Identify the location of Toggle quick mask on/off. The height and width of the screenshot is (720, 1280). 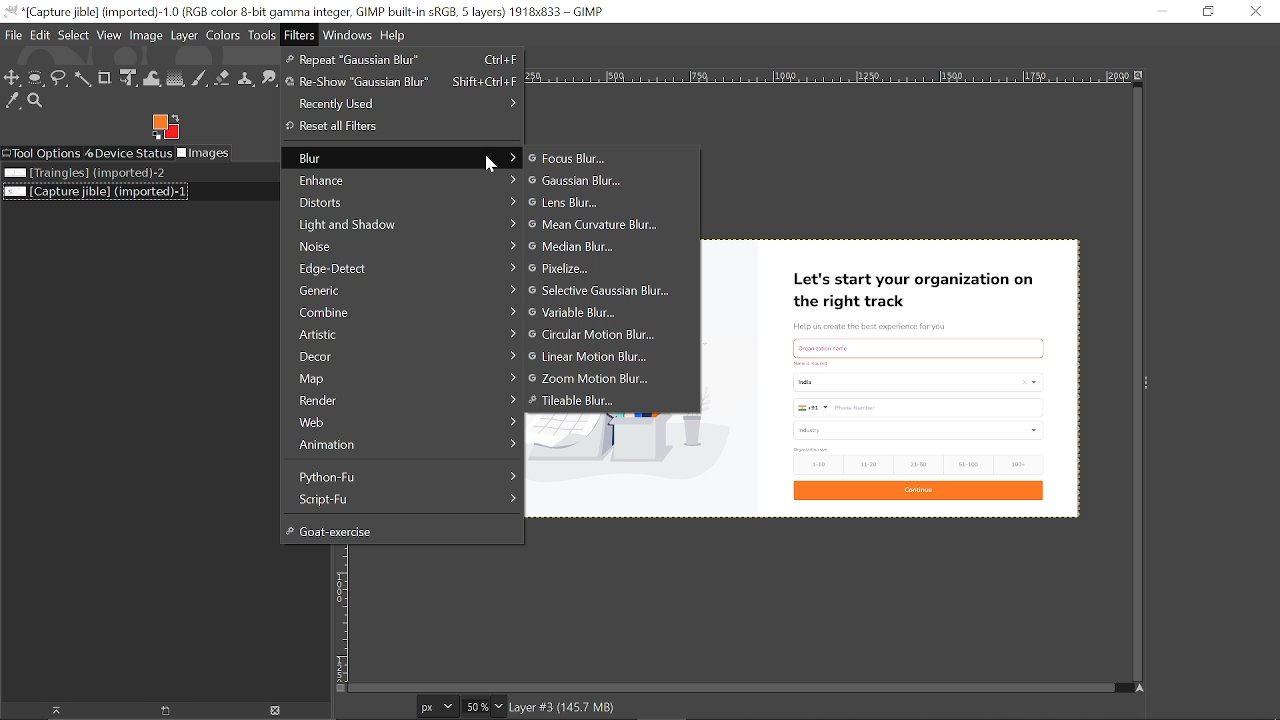
(339, 688).